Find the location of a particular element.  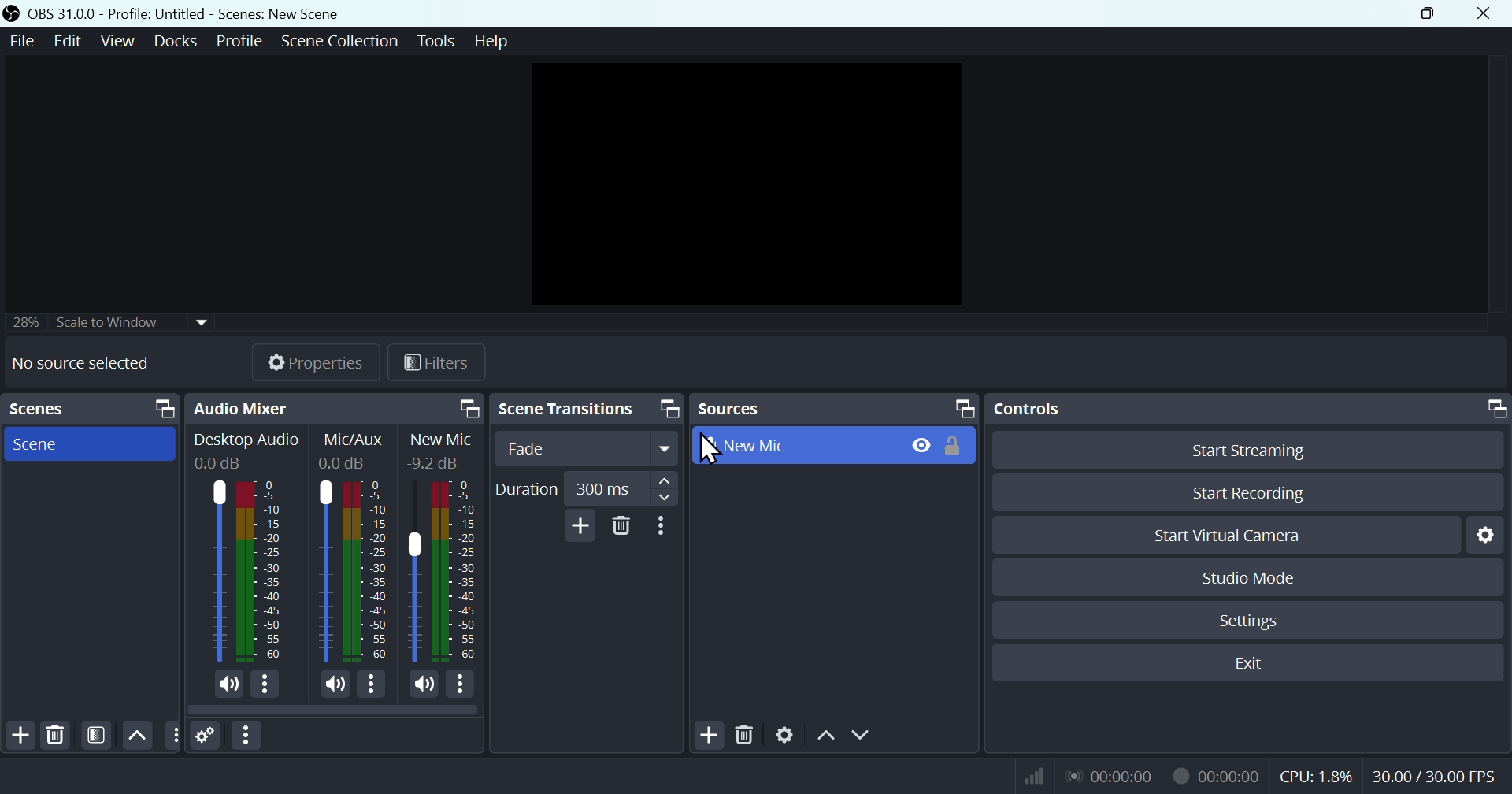

New mic is located at coordinates (834, 447).